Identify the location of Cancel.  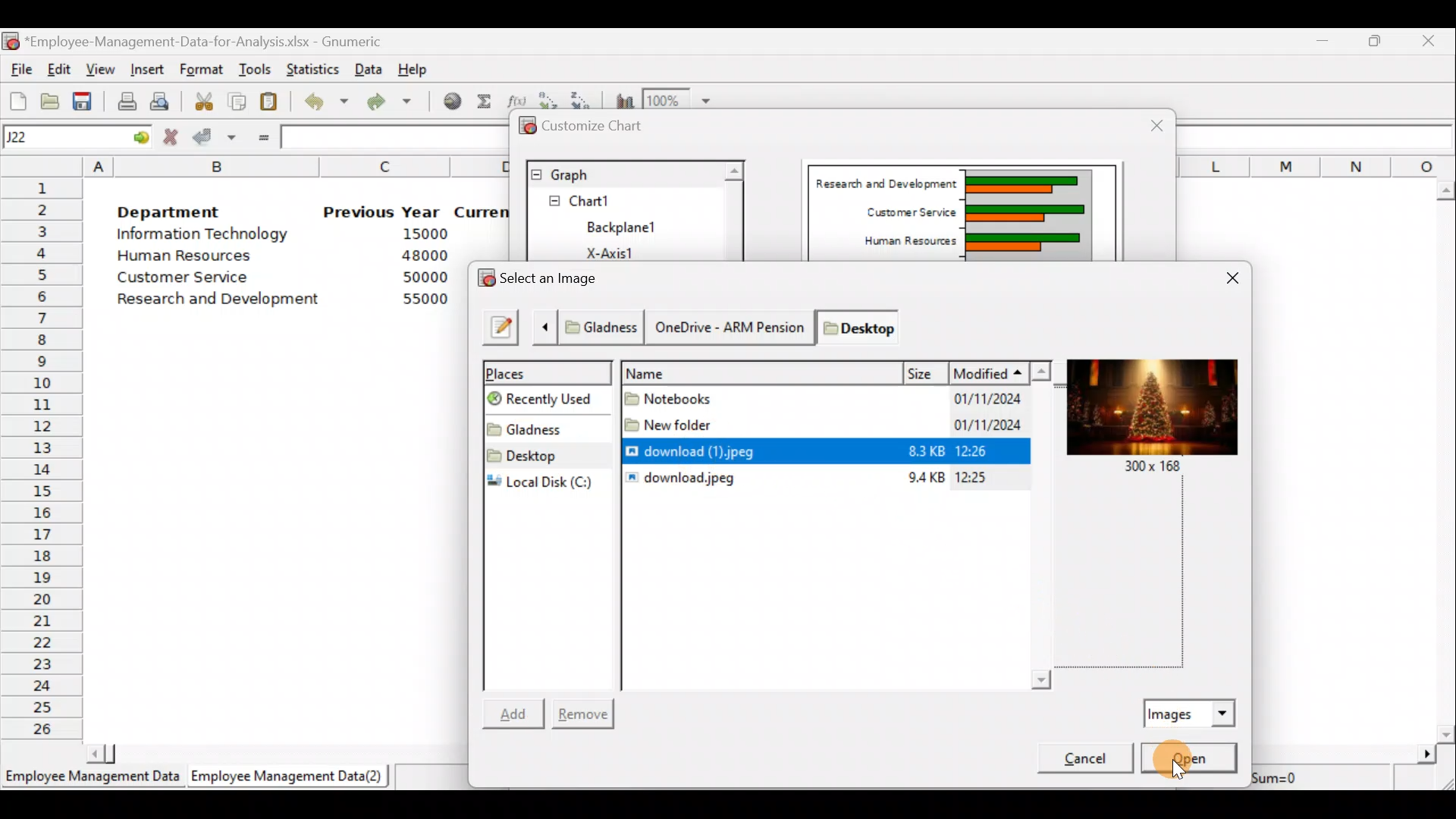
(1080, 761).